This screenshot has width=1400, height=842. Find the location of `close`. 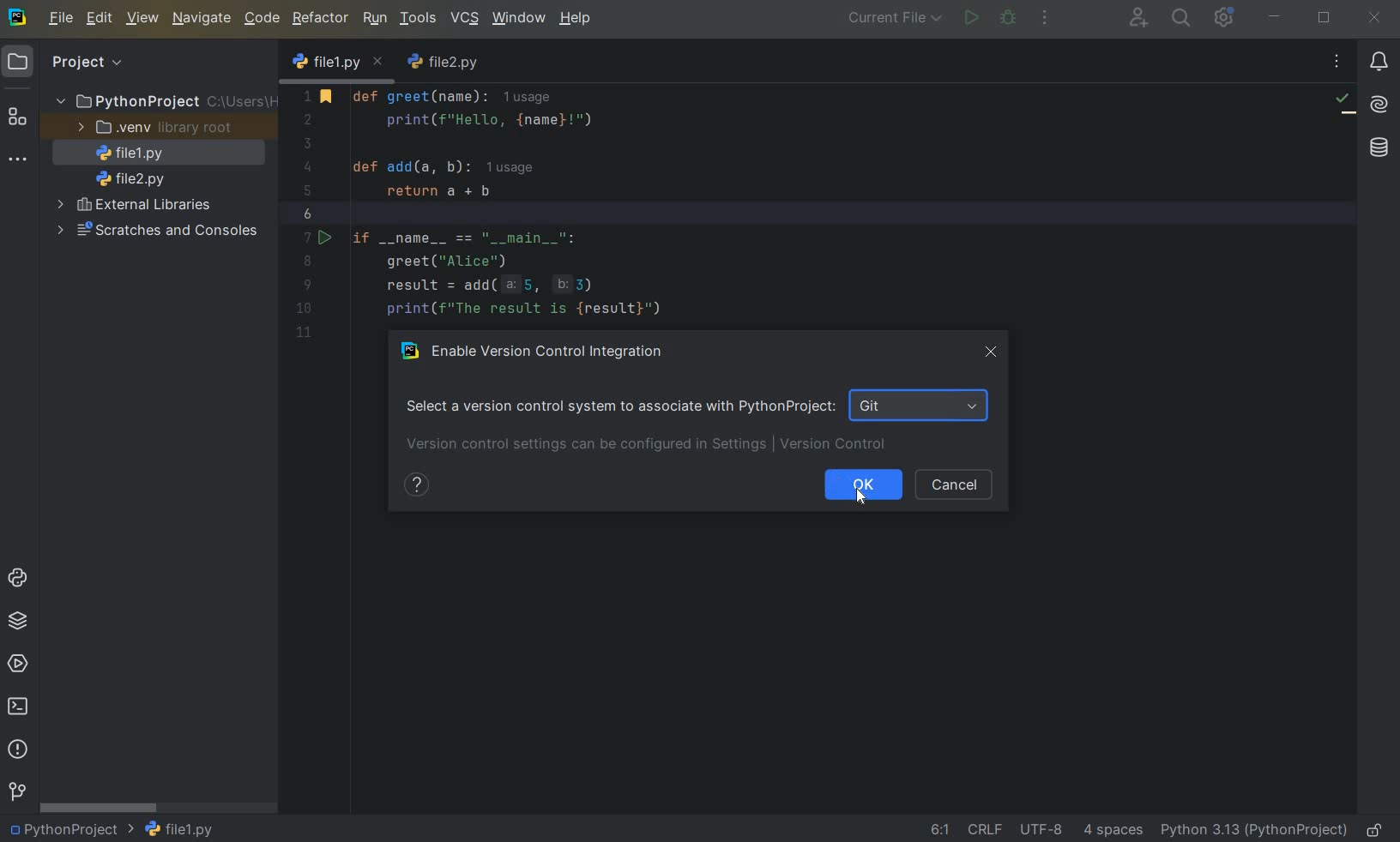

close is located at coordinates (1377, 18).